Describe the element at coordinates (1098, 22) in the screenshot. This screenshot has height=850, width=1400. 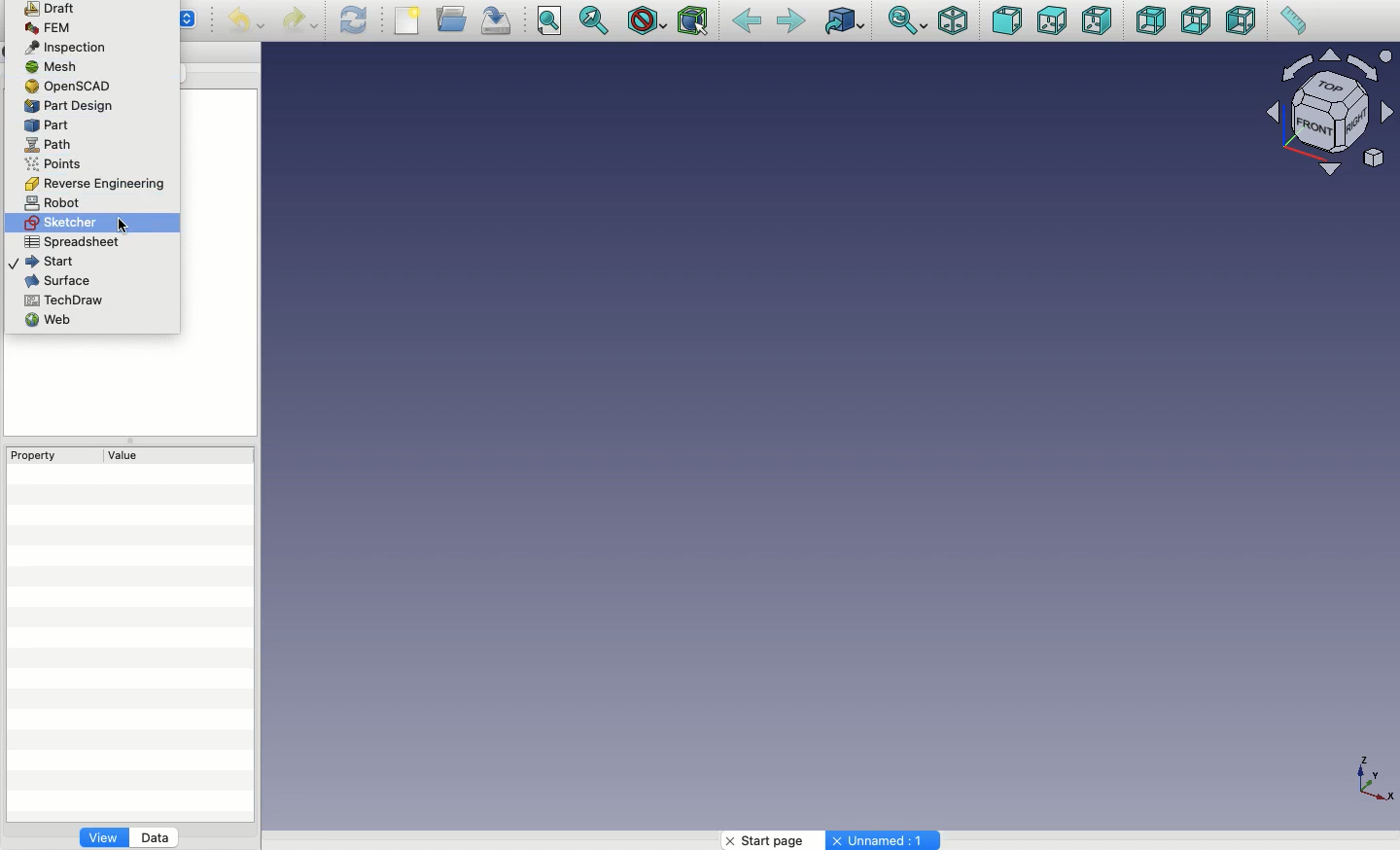
I see `Right` at that location.